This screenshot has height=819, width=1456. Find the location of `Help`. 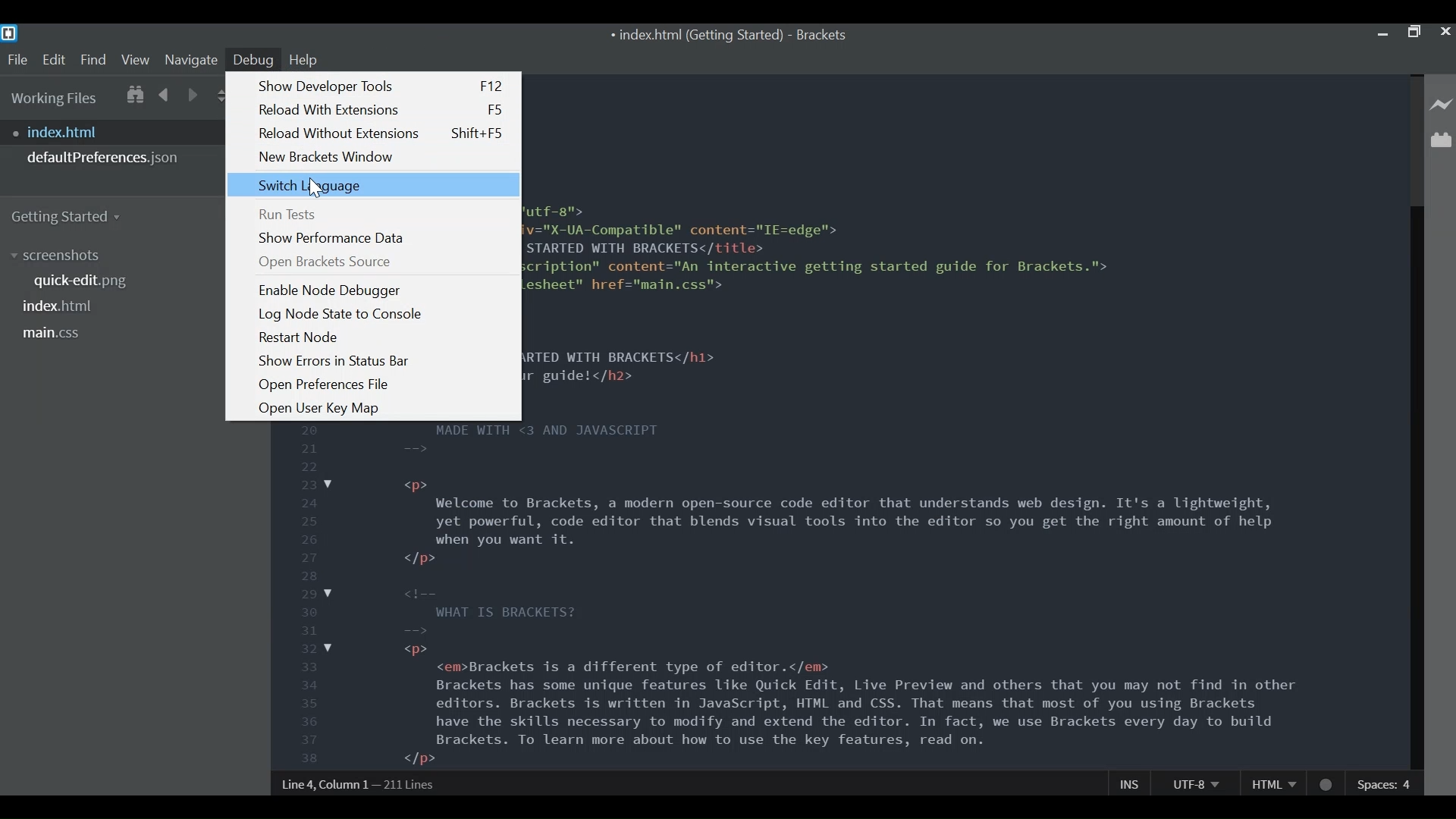

Help is located at coordinates (303, 60).